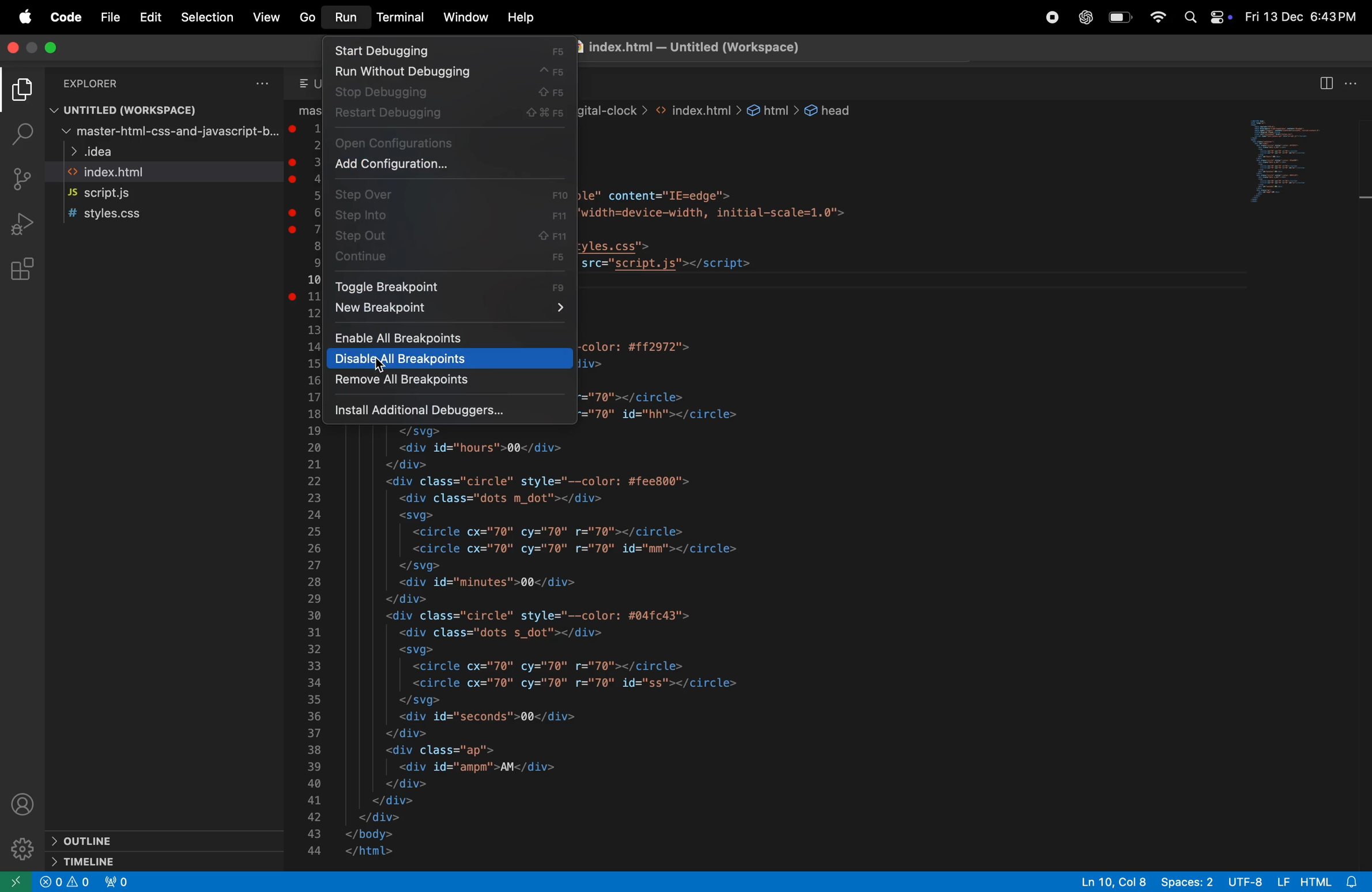 Image resolution: width=1372 pixels, height=892 pixels. I want to click on Lf Html, so click(1317, 881).